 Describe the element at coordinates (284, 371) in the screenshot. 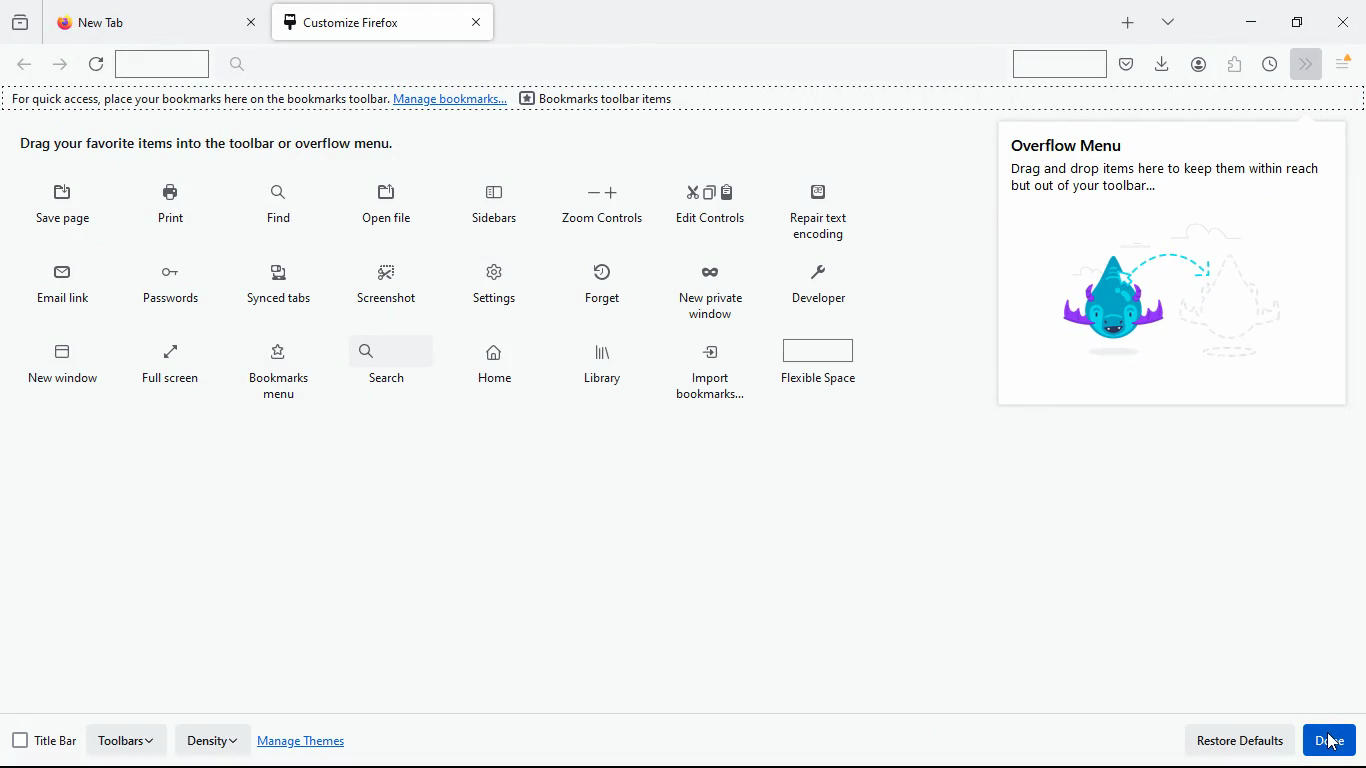

I see `full screen` at that location.